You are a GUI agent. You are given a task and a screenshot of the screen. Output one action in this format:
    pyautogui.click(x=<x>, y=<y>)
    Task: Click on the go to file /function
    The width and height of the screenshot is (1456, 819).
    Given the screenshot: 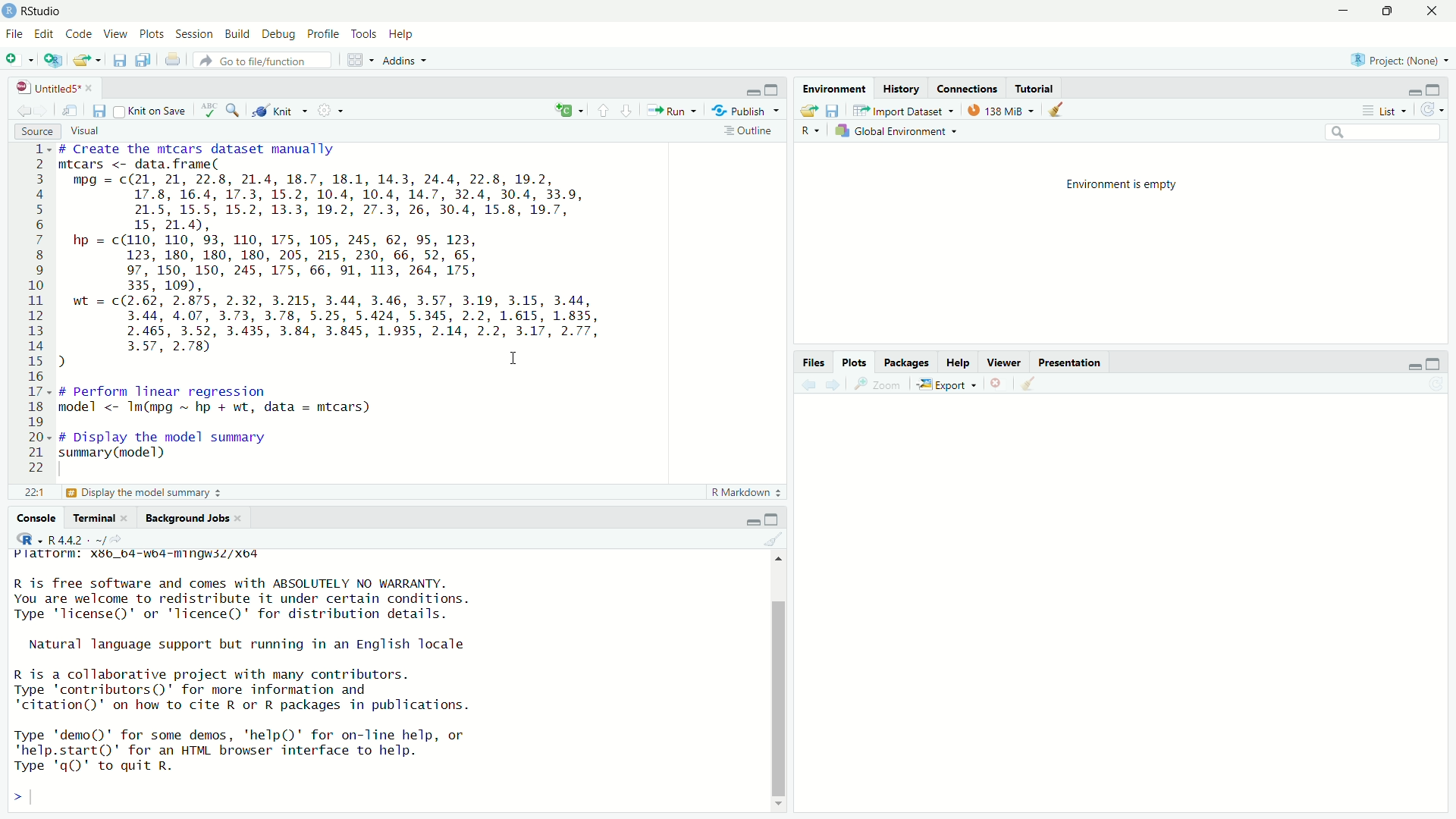 What is the action you would take?
    pyautogui.click(x=262, y=61)
    